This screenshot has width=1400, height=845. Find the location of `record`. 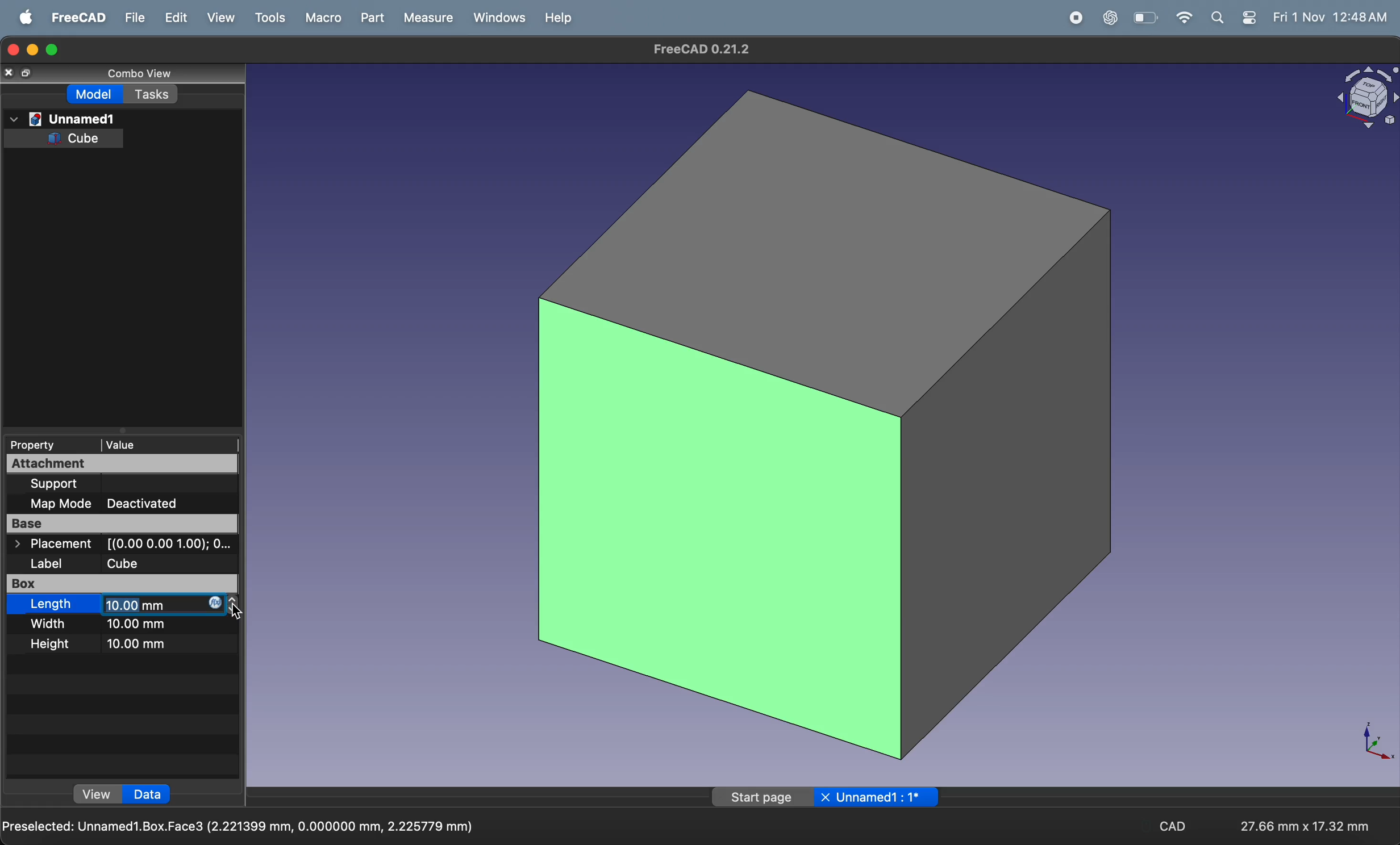

record is located at coordinates (1070, 17).